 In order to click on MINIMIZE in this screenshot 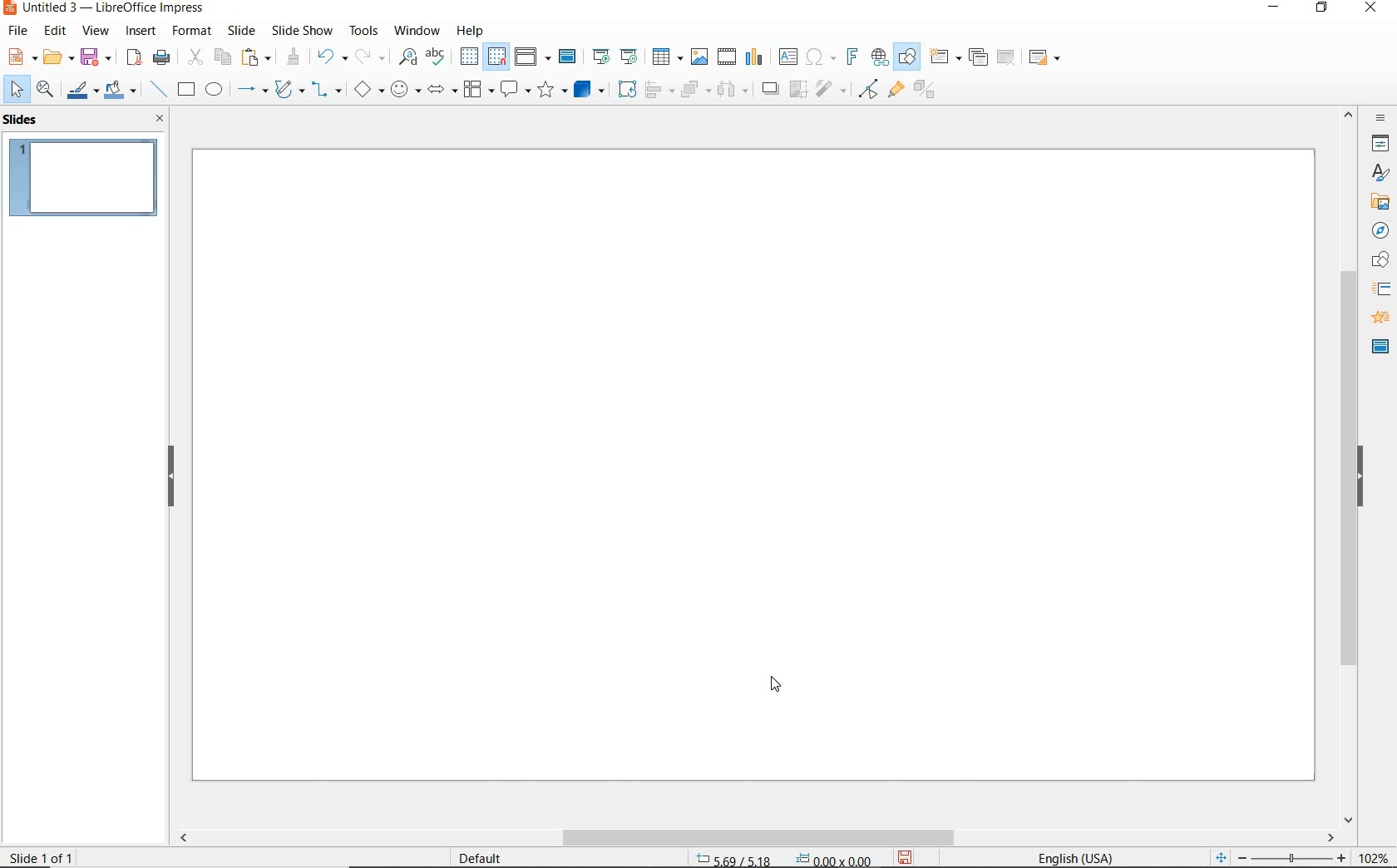, I will do `click(1276, 8)`.